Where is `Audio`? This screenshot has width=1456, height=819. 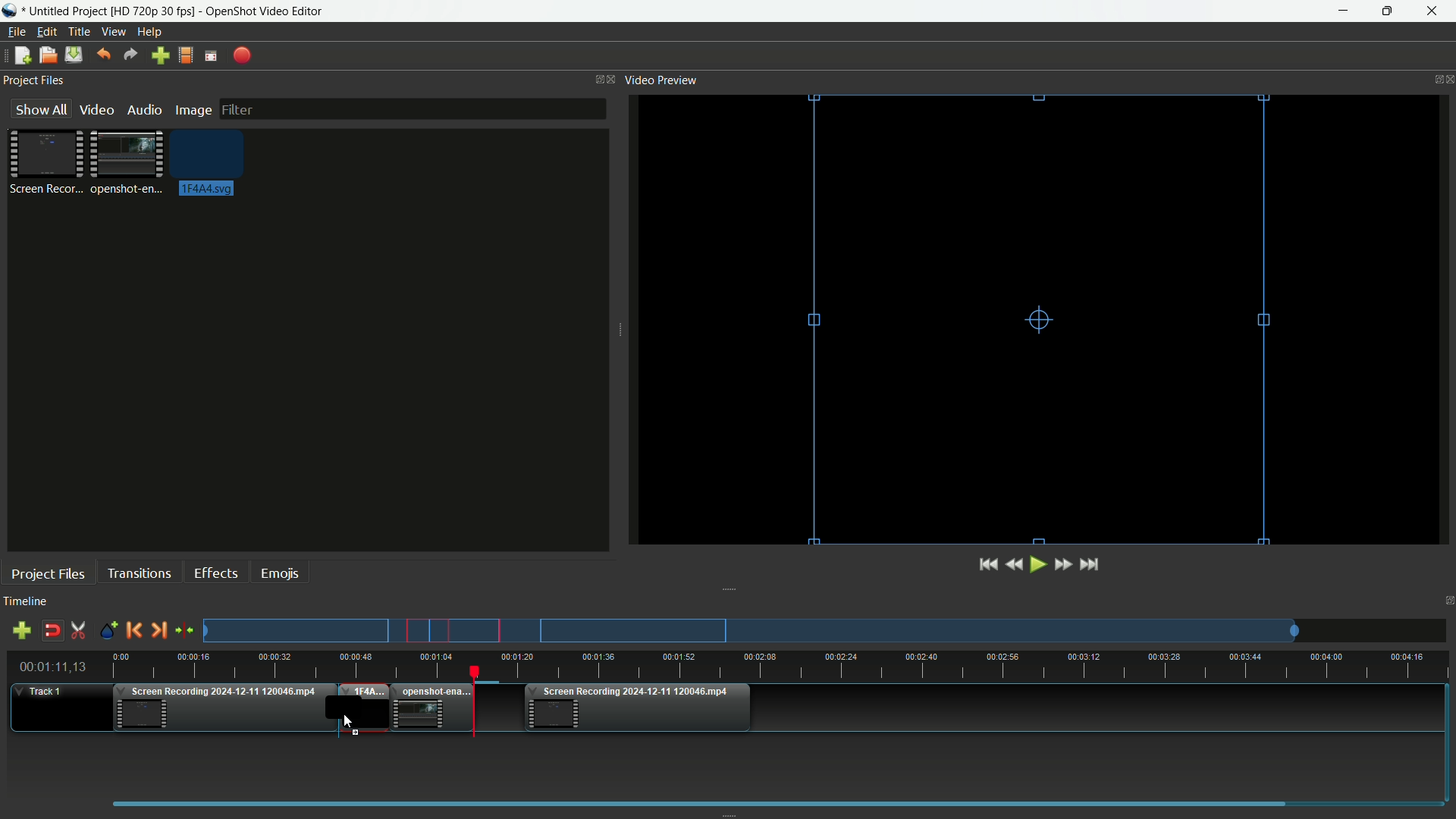 Audio is located at coordinates (144, 110).